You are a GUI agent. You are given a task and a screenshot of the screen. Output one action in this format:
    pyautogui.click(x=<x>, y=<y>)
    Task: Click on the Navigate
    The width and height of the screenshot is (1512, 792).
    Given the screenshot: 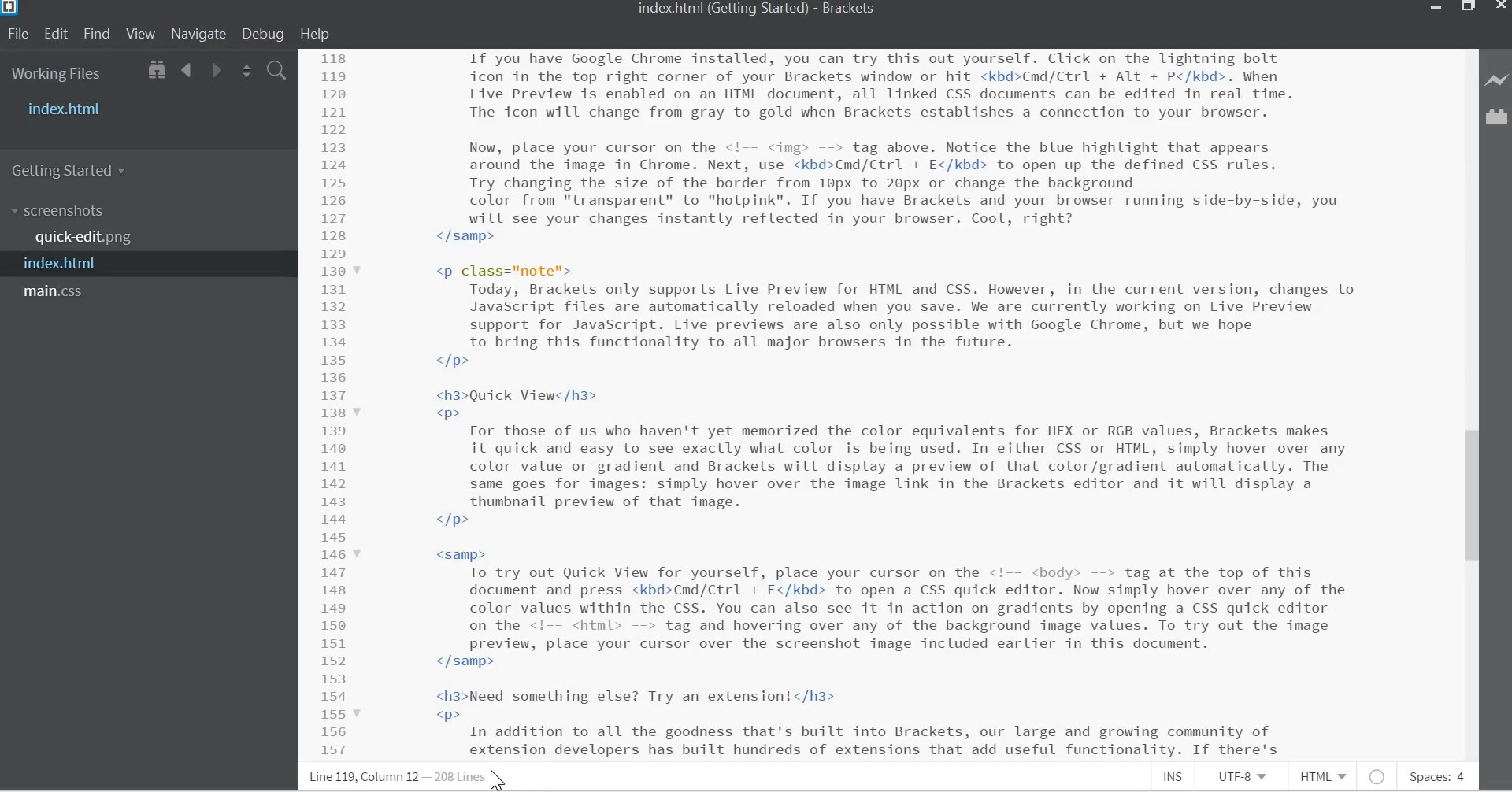 What is the action you would take?
    pyautogui.click(x=198, y=35)
    